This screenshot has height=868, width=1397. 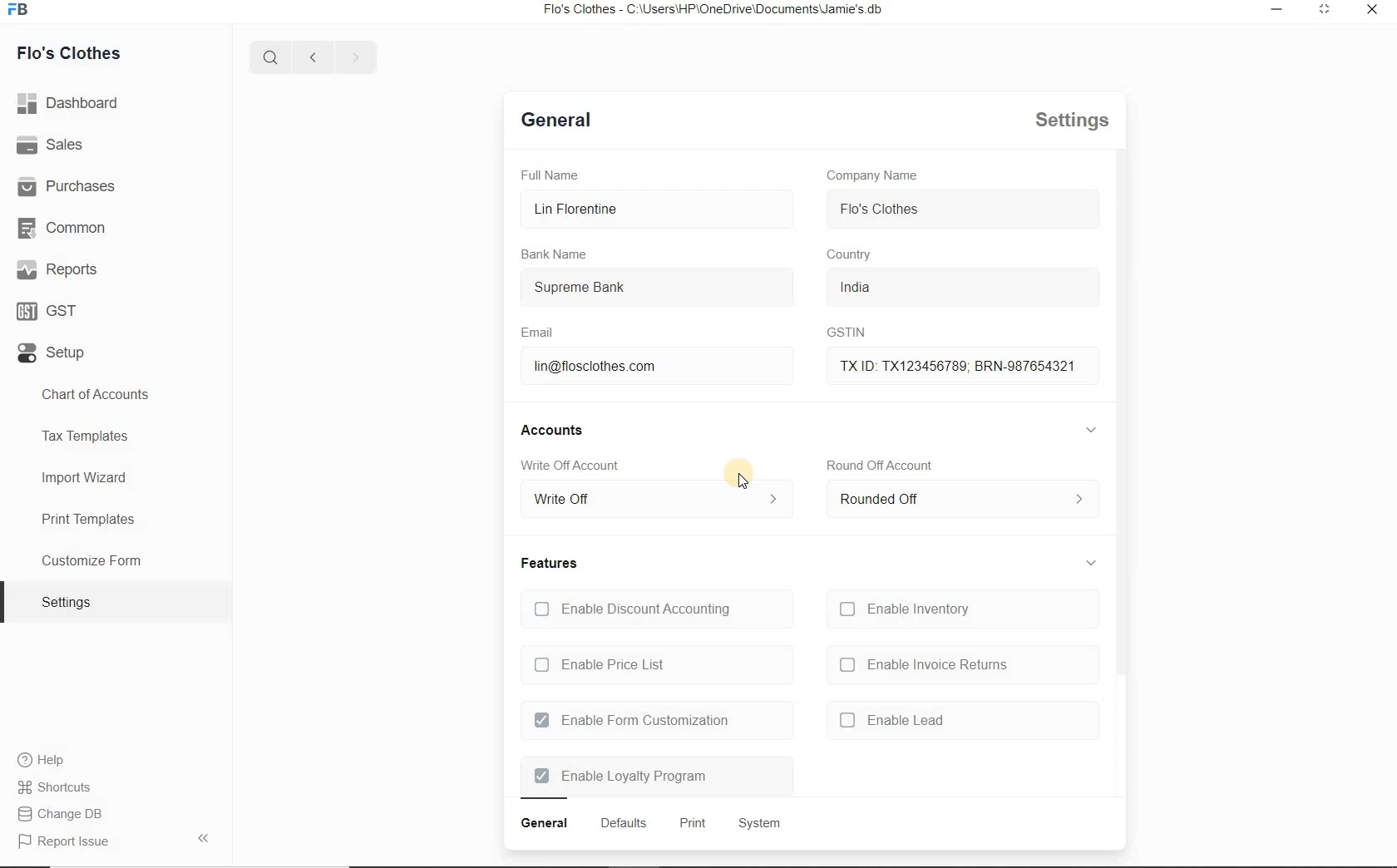 What do you see at coordinates (354, 55) in the screenshot?
I see `Forward` at bounding box center [354, 55].